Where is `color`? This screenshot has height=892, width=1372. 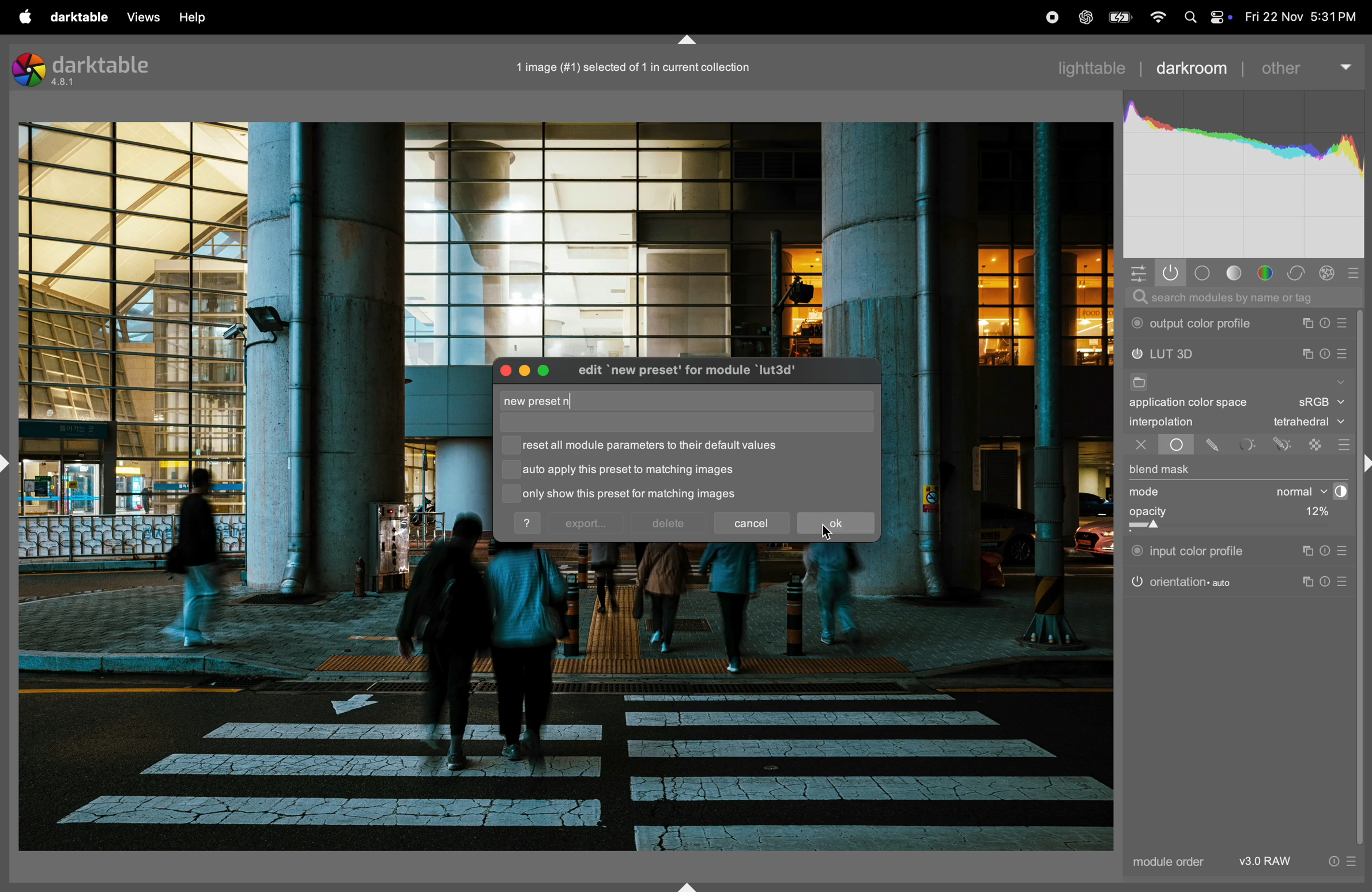 color is located at coordinates (1269, 274).